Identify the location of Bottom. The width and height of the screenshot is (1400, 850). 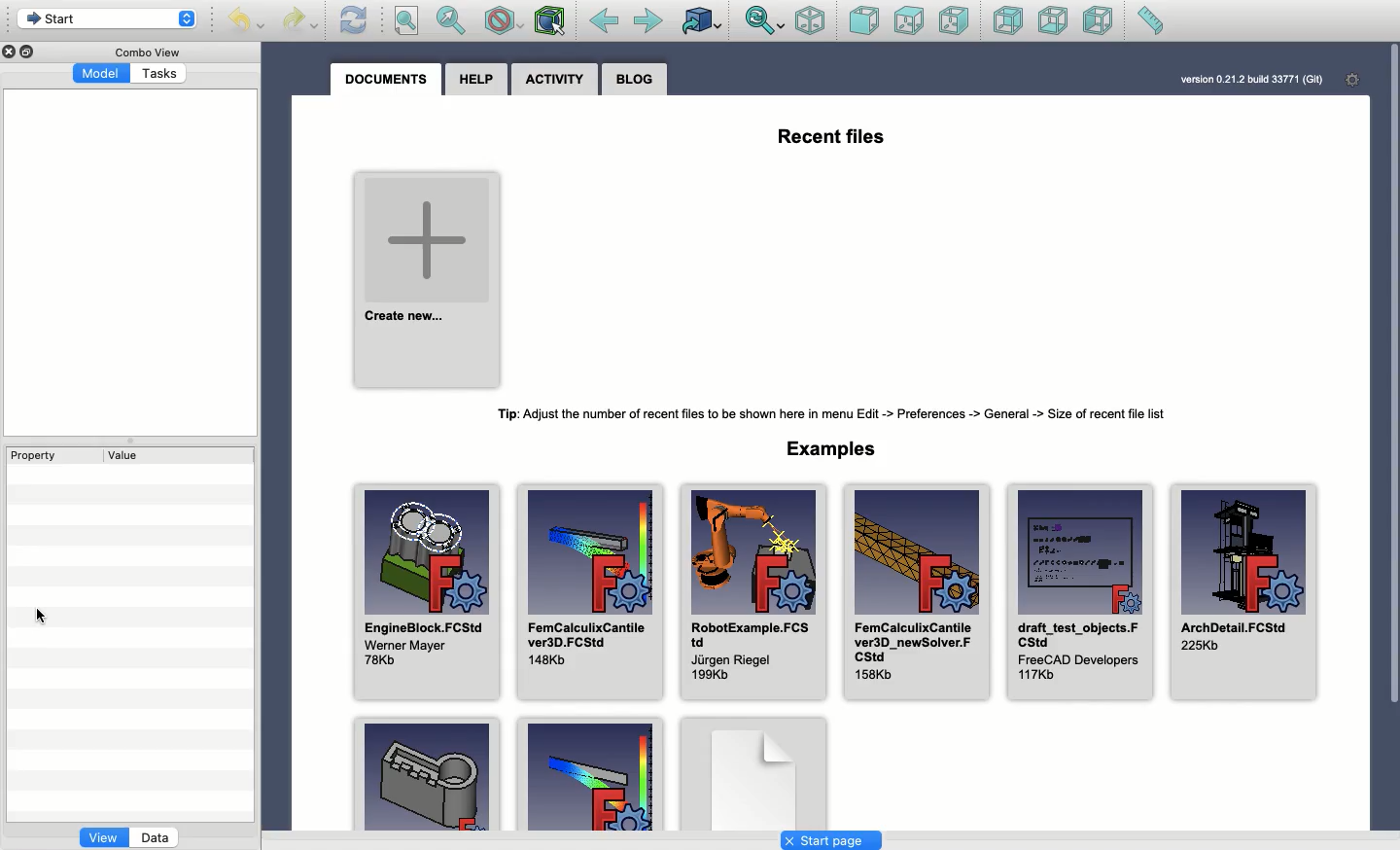
(1054, 22).